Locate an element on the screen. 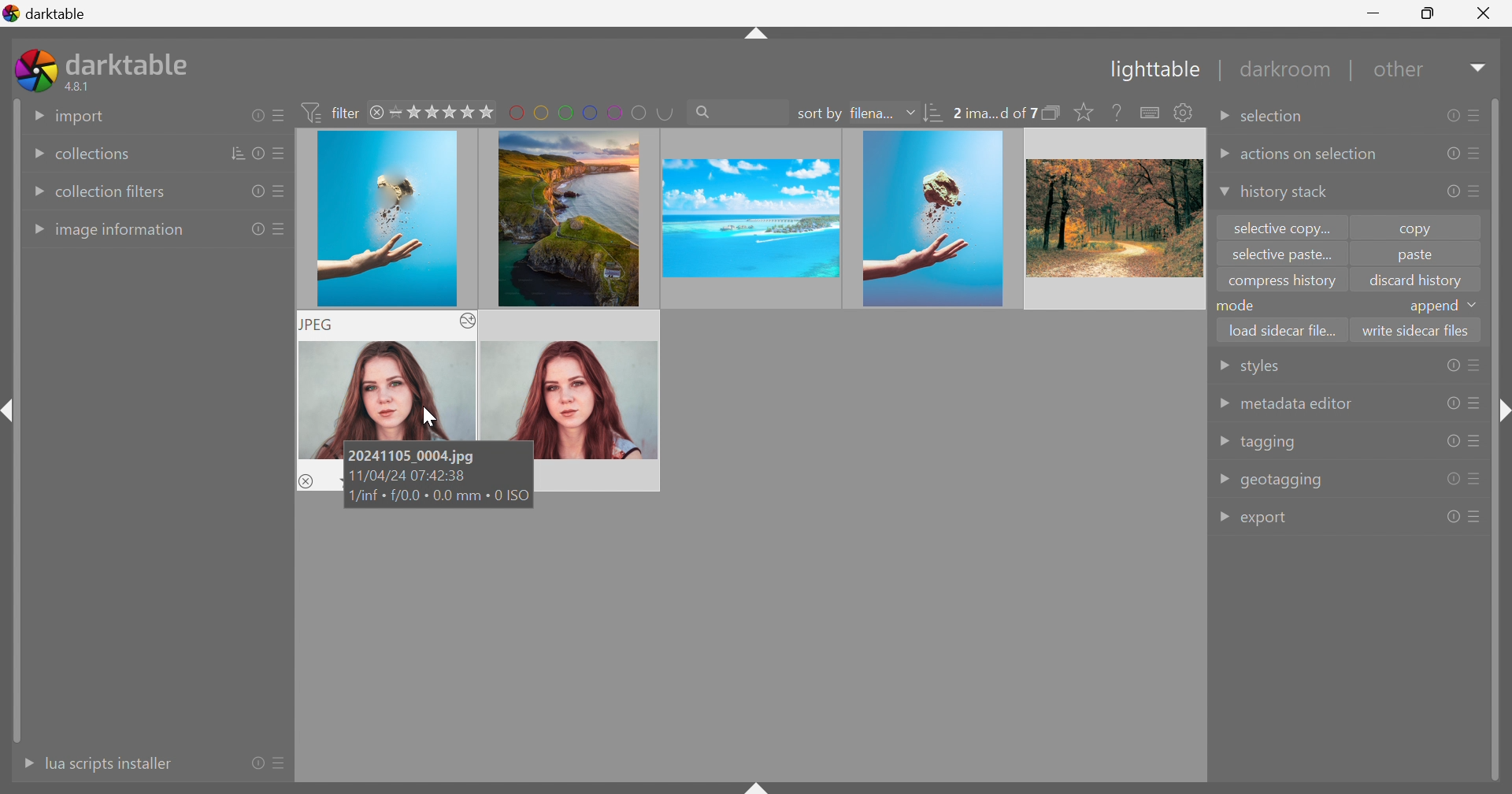 The image size is (1512, 794). Close is located at coordinates (1484, 17).